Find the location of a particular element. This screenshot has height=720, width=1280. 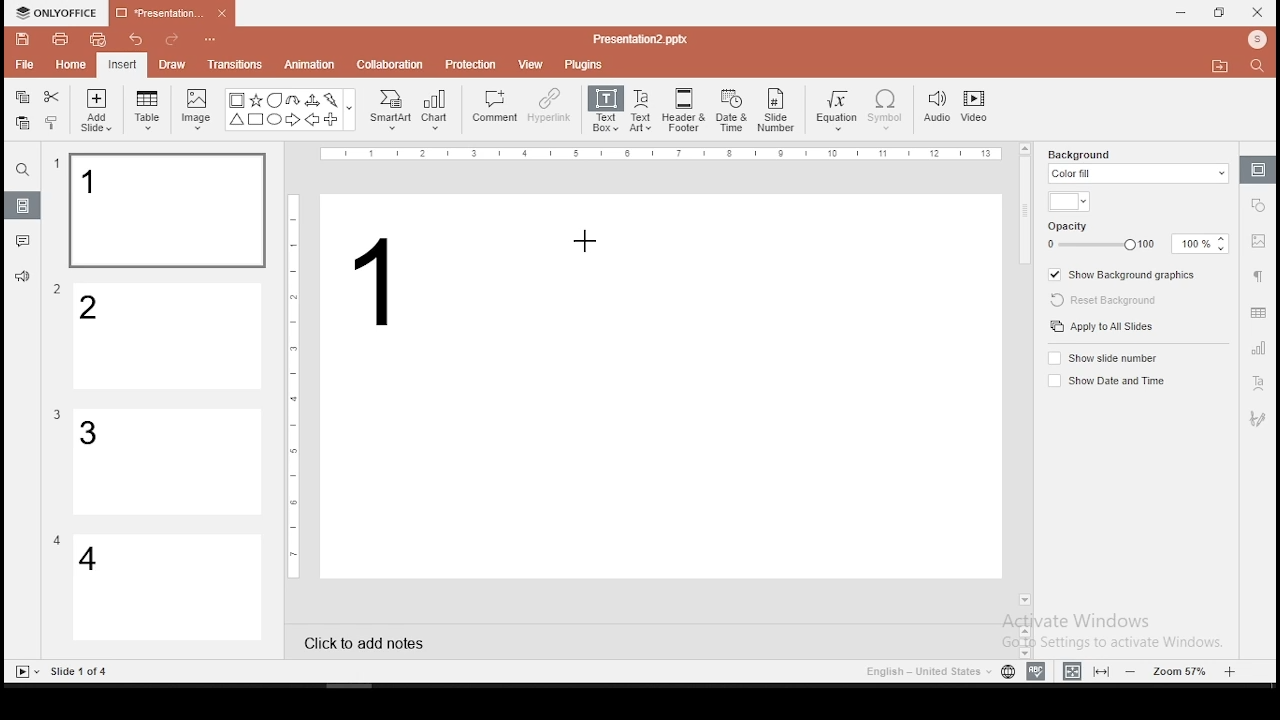

 is located at coordinates (294, 384).